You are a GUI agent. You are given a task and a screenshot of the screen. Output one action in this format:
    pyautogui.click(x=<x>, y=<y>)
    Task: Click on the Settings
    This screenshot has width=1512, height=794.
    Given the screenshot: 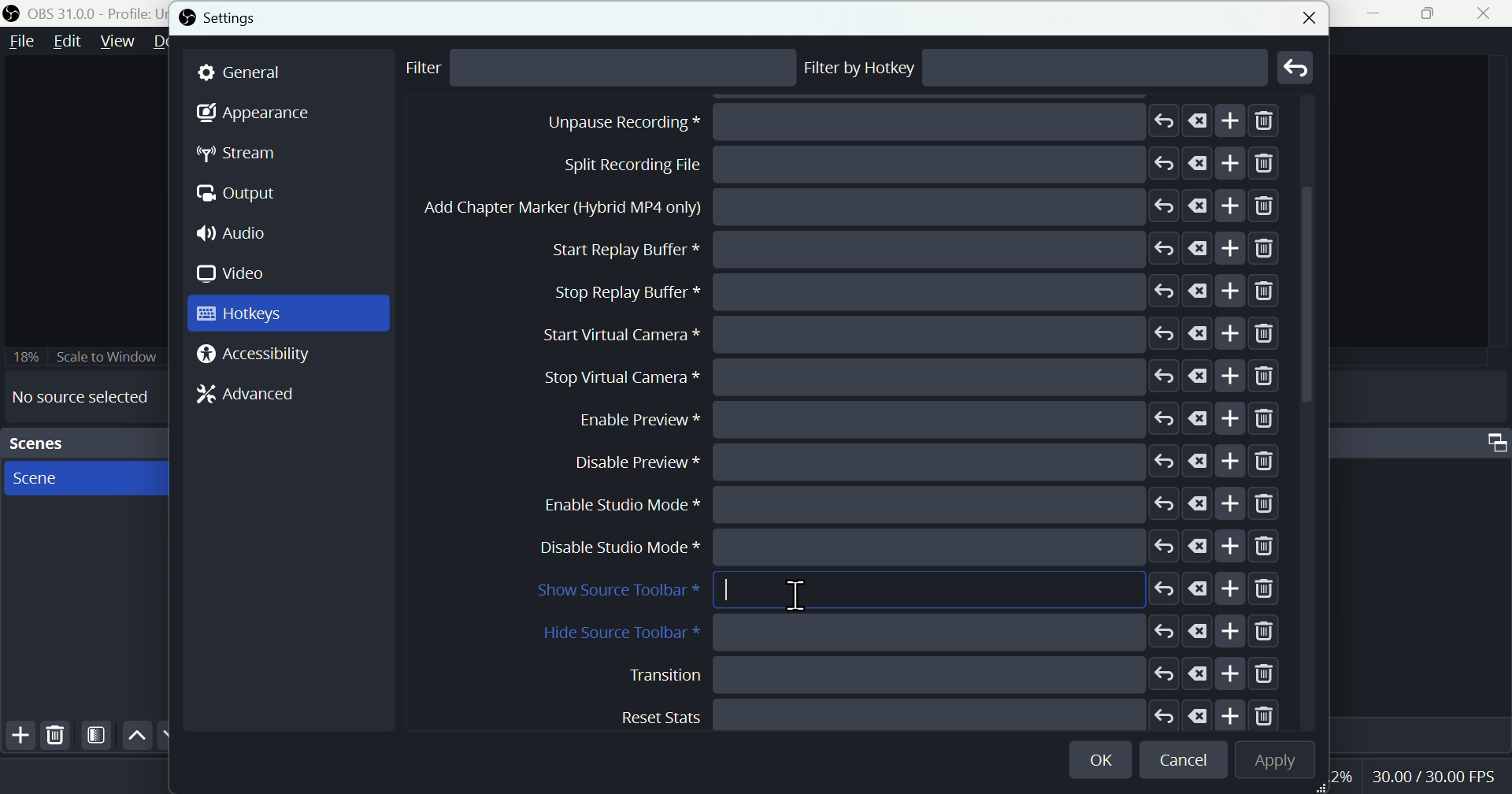 What is the action you would take?
    pyautogui.click(x=225, y=18)
    